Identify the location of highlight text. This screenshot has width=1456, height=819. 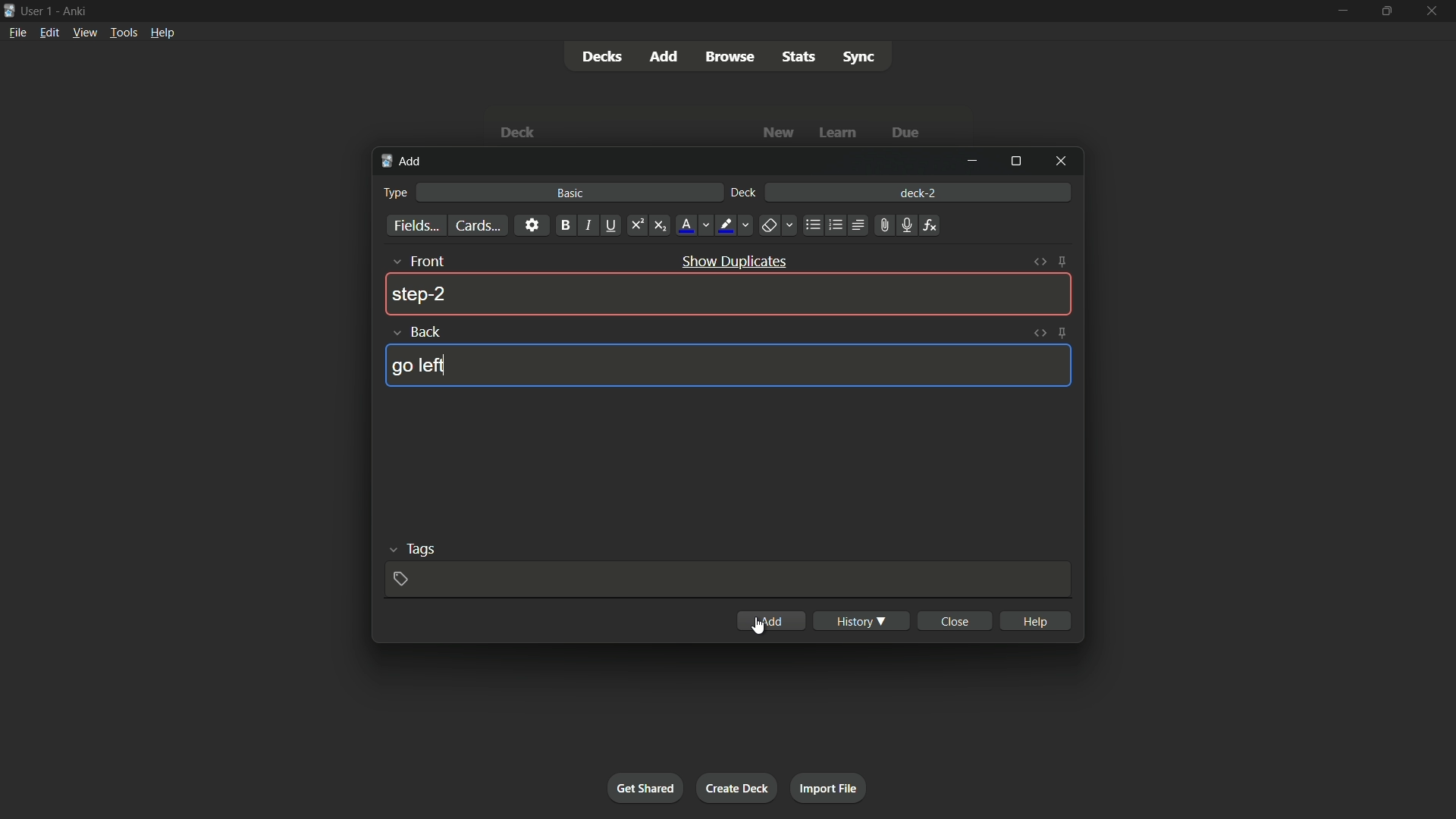
(735, 226).